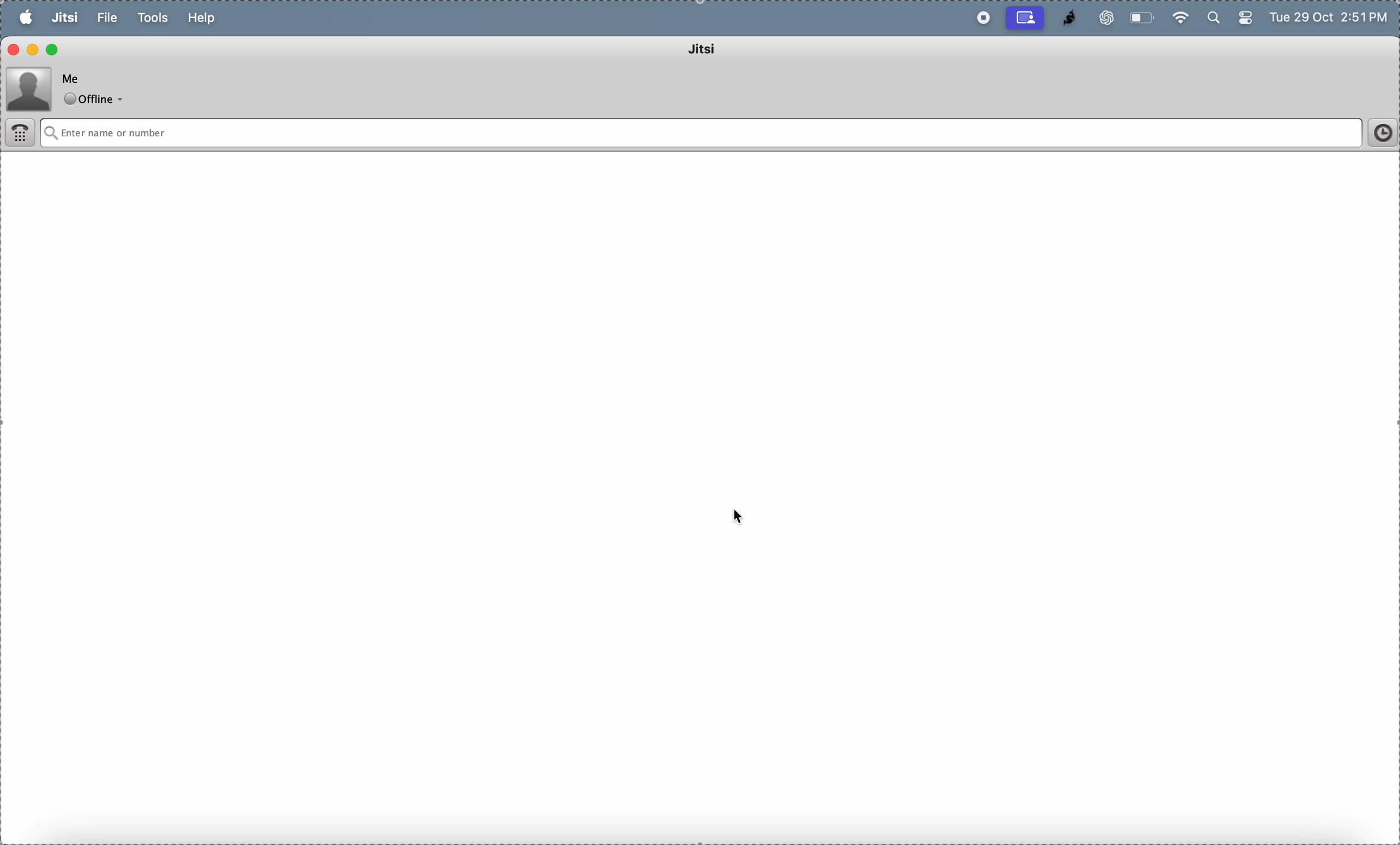 This screenshot has width=1400, height=845. I want to click on jitsi menu, so click(65, 19).